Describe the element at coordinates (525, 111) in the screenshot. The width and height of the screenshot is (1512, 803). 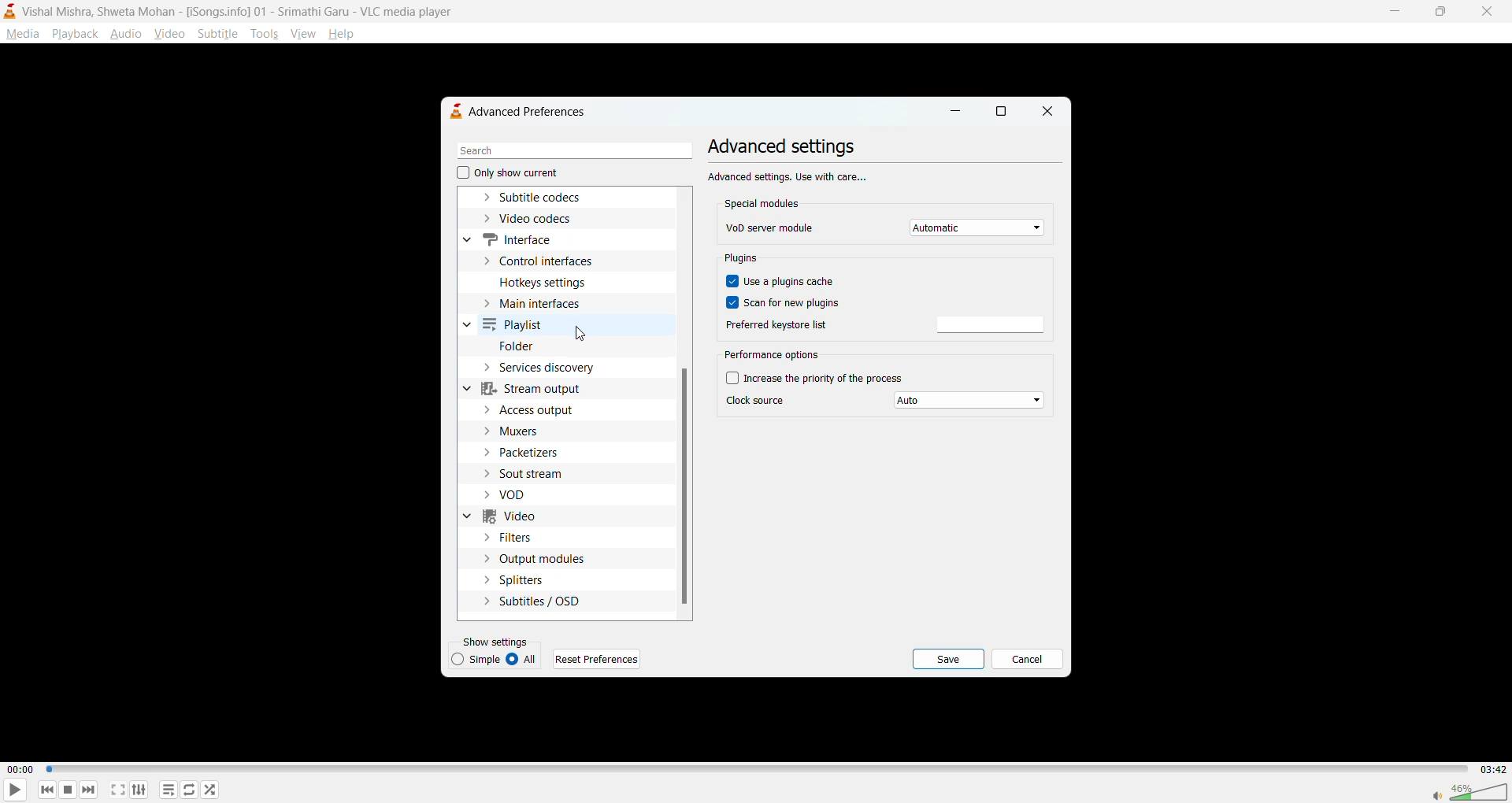
I see `advanced preferences` at that location.